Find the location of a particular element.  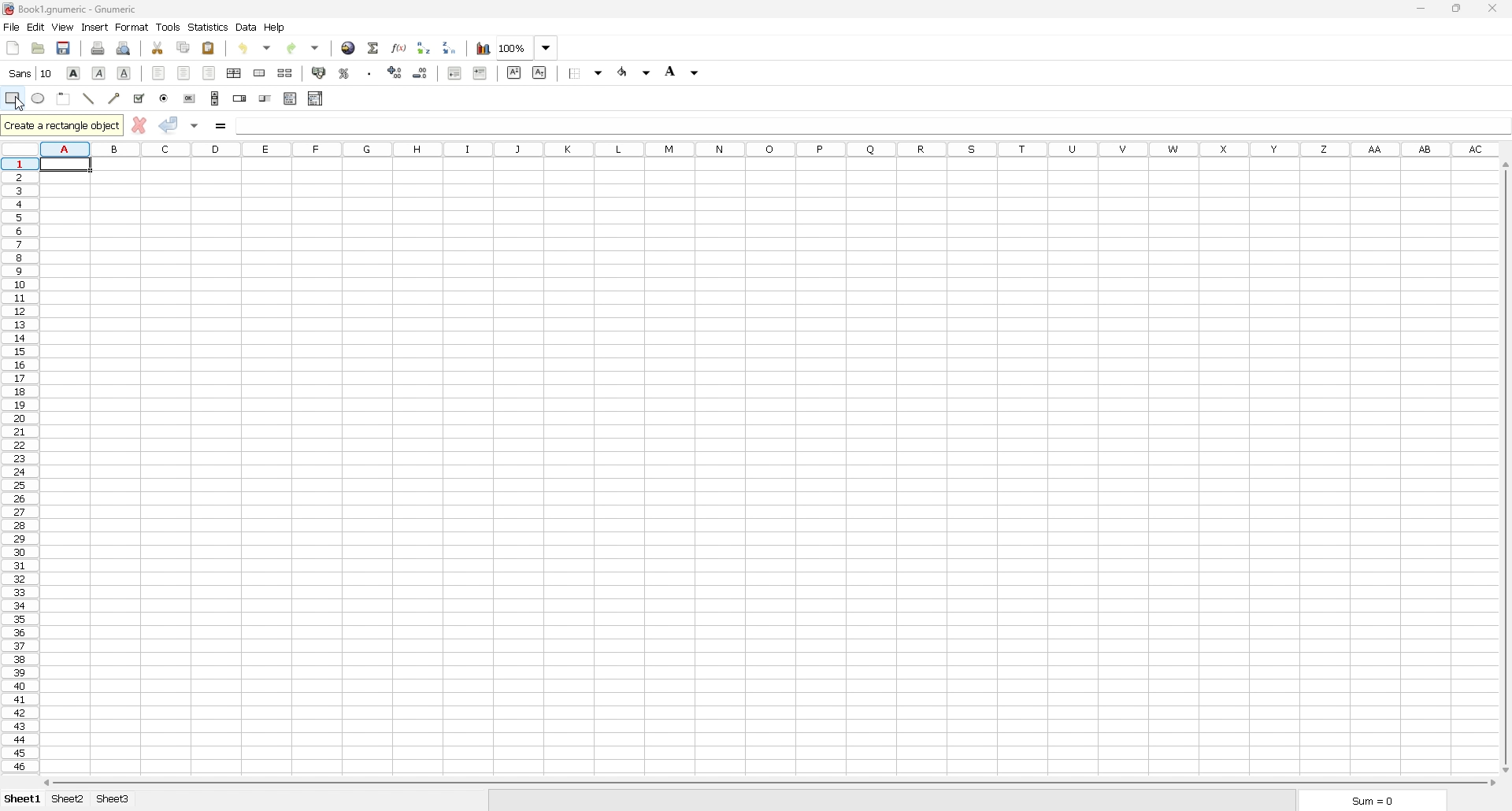

cursor is located at coordinates (20, 108).